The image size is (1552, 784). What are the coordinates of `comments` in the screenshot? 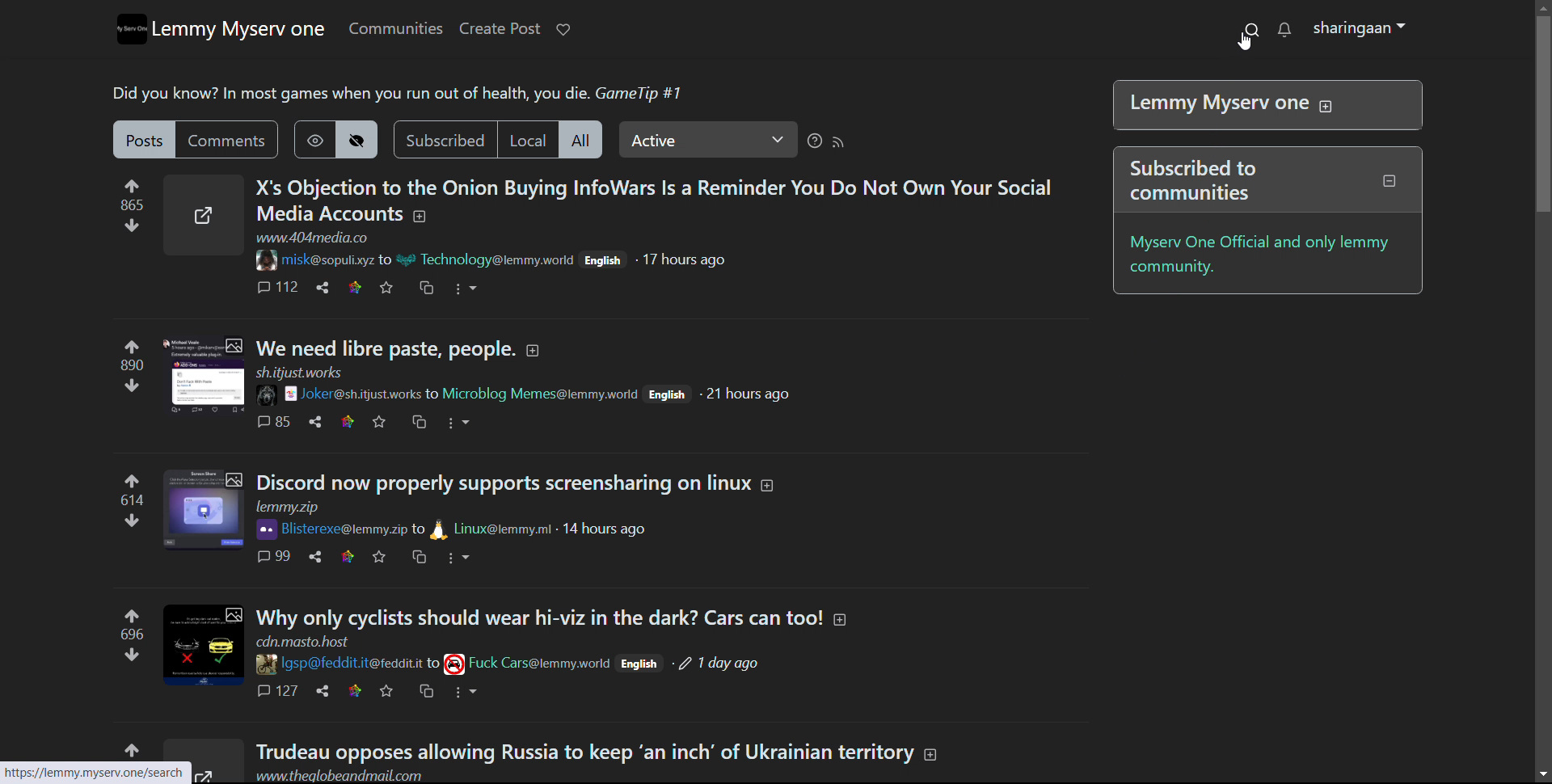 It's located at (273, 288).